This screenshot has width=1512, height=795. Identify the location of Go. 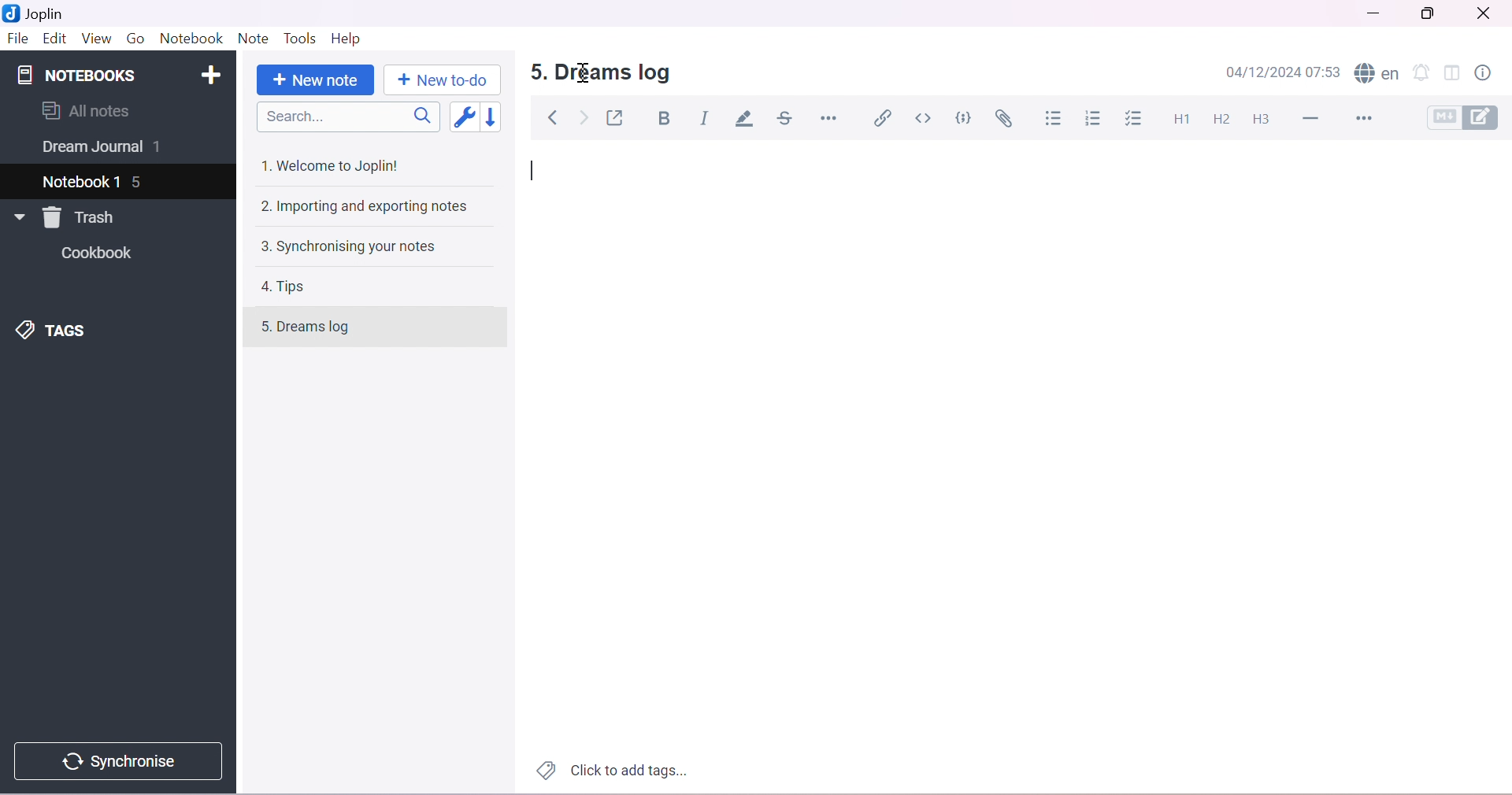
(135, 37).